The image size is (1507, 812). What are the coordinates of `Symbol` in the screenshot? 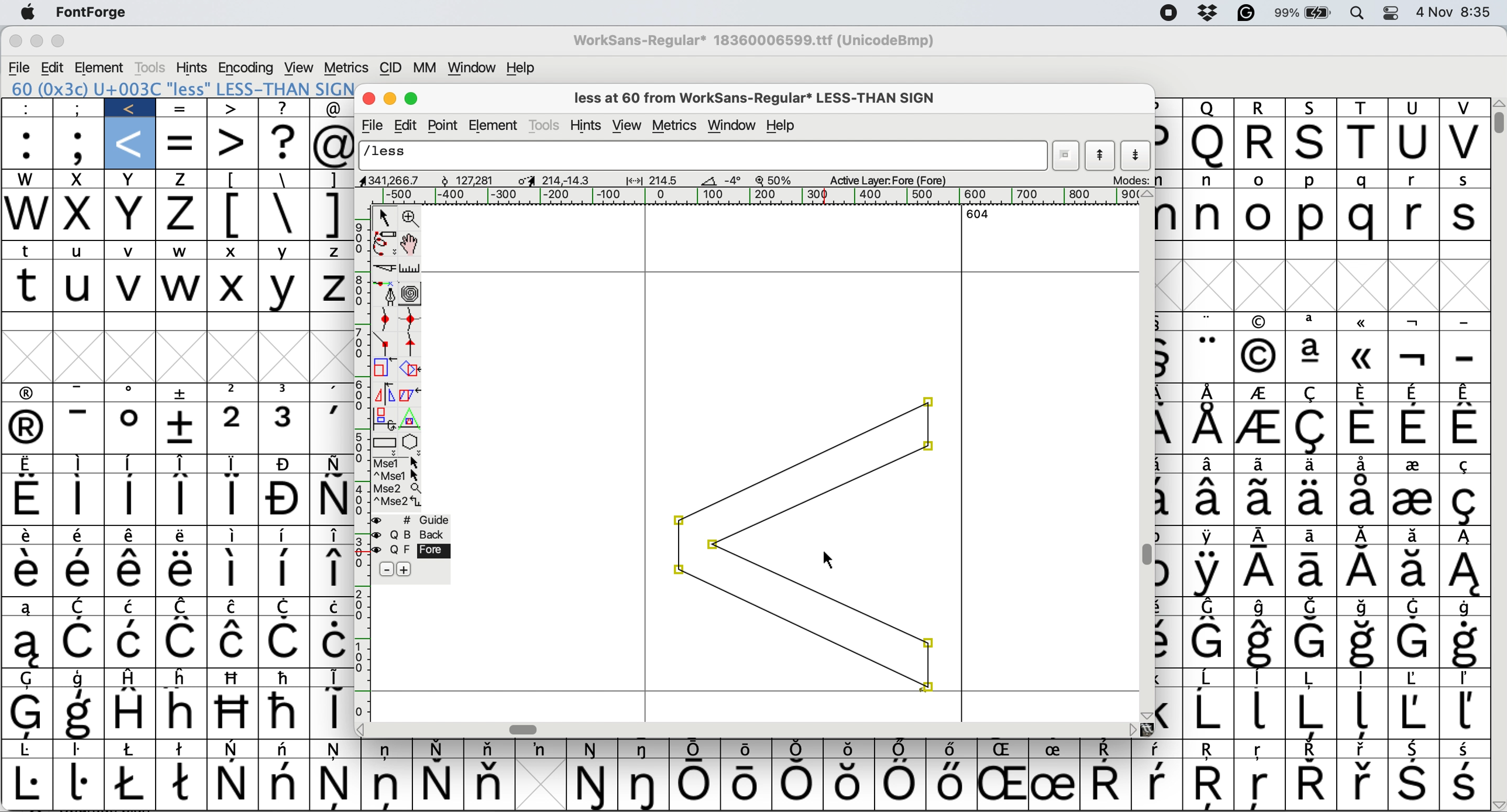 It's located at (1260, 355).